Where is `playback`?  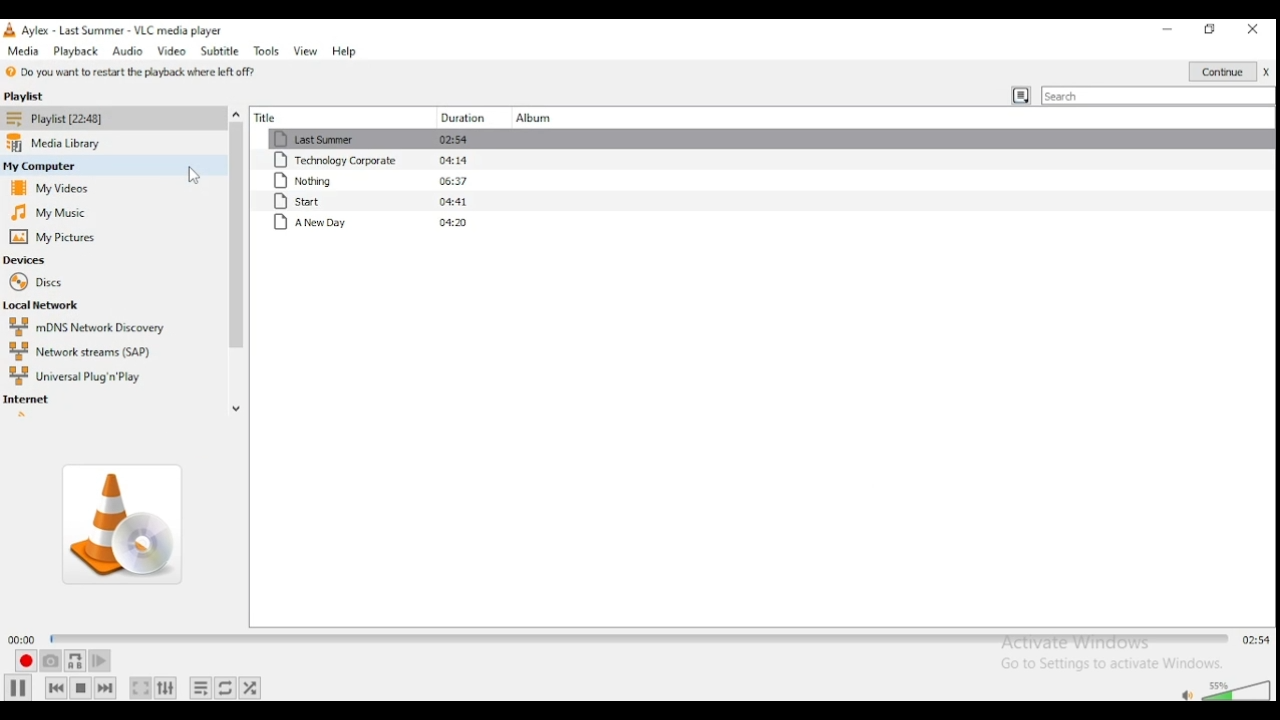 playback is located at coordinates (74, 50).